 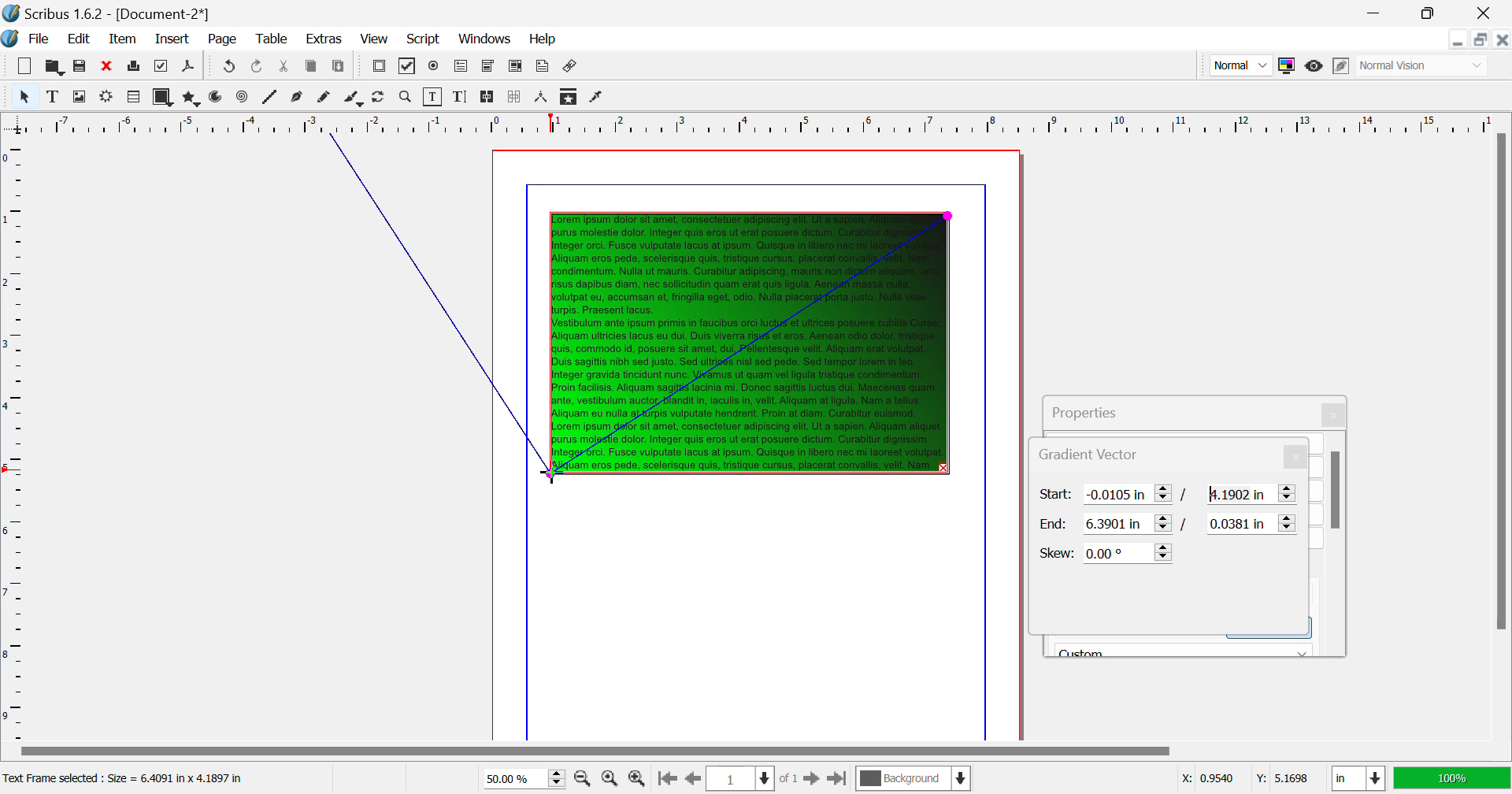 What do you see at coordinates (298, 98) in the screenshot?
I see `Bezier Curve` at bounding box center [298, 98].